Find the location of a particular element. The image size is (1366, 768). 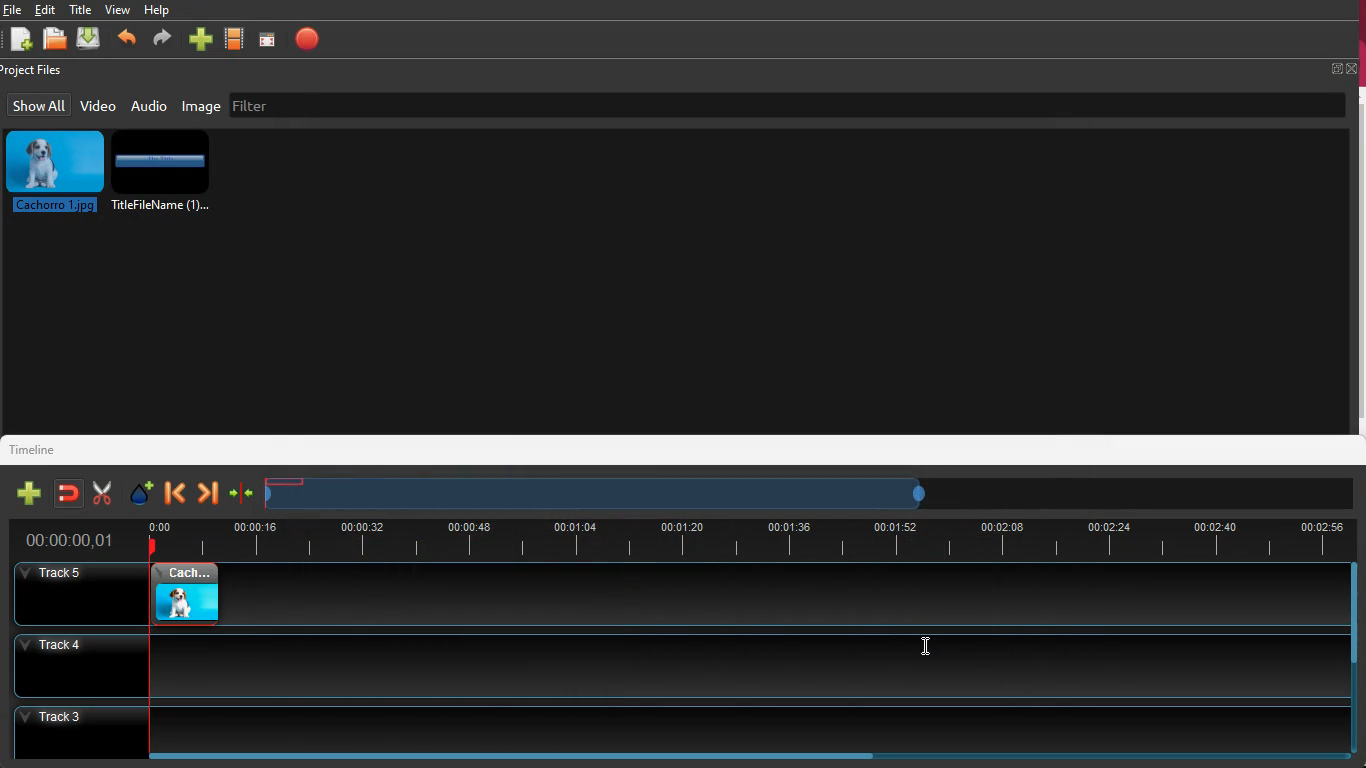

effect is located at coordinates (138, 492).